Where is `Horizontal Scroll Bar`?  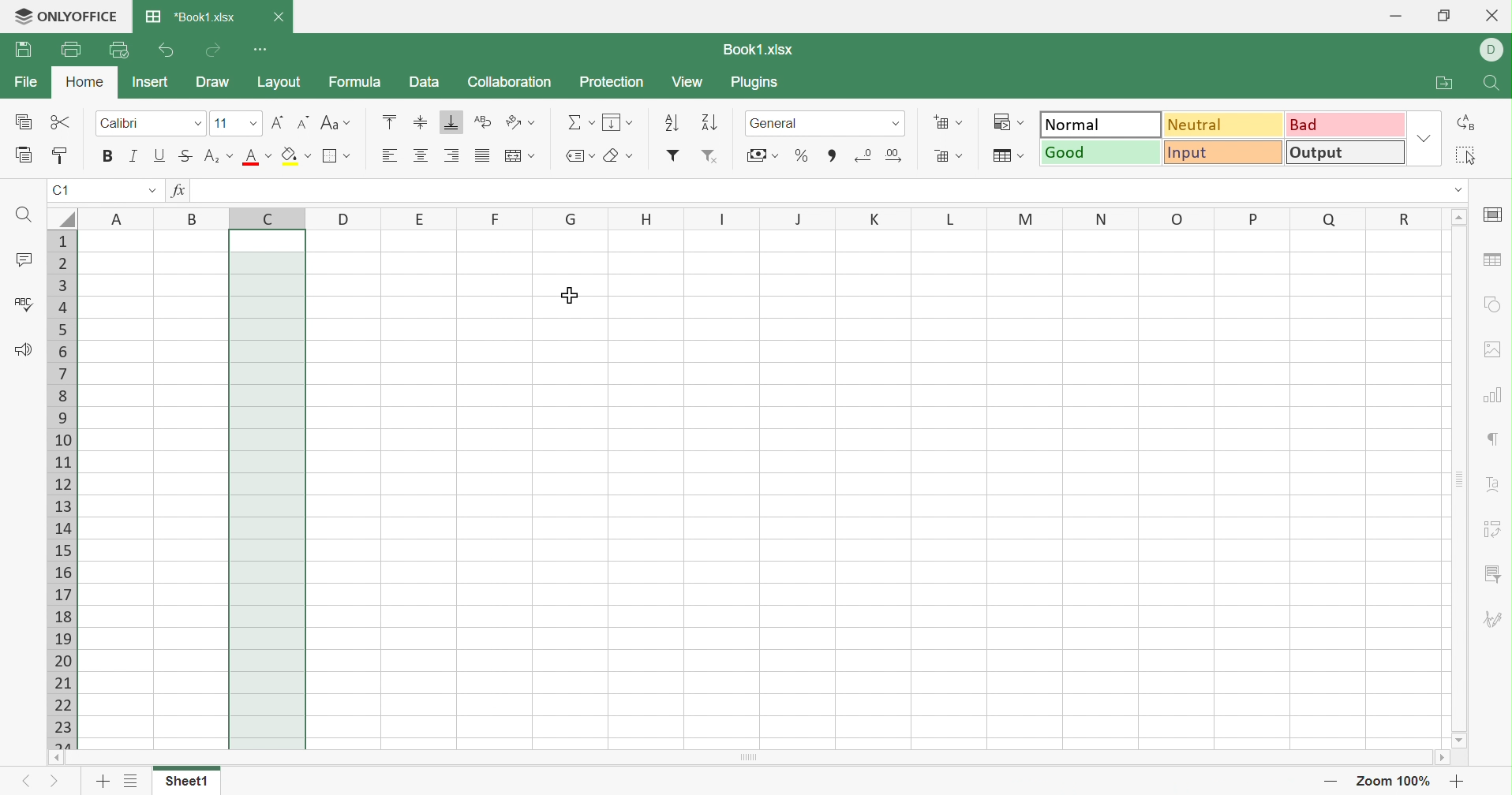 Horizontal Scroll Bar is located at coordinates (746, 756).